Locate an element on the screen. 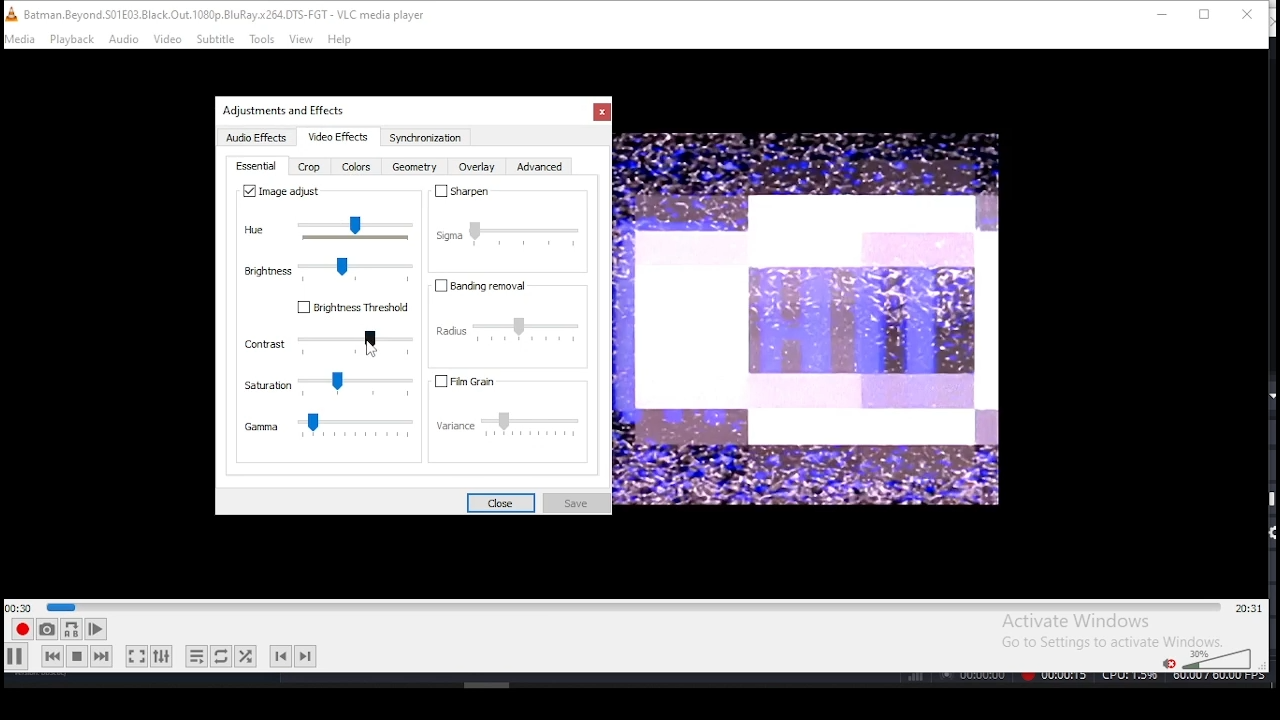 The height and width of the screenshot is (720, 1280). close is located at coordinates (499, 501).